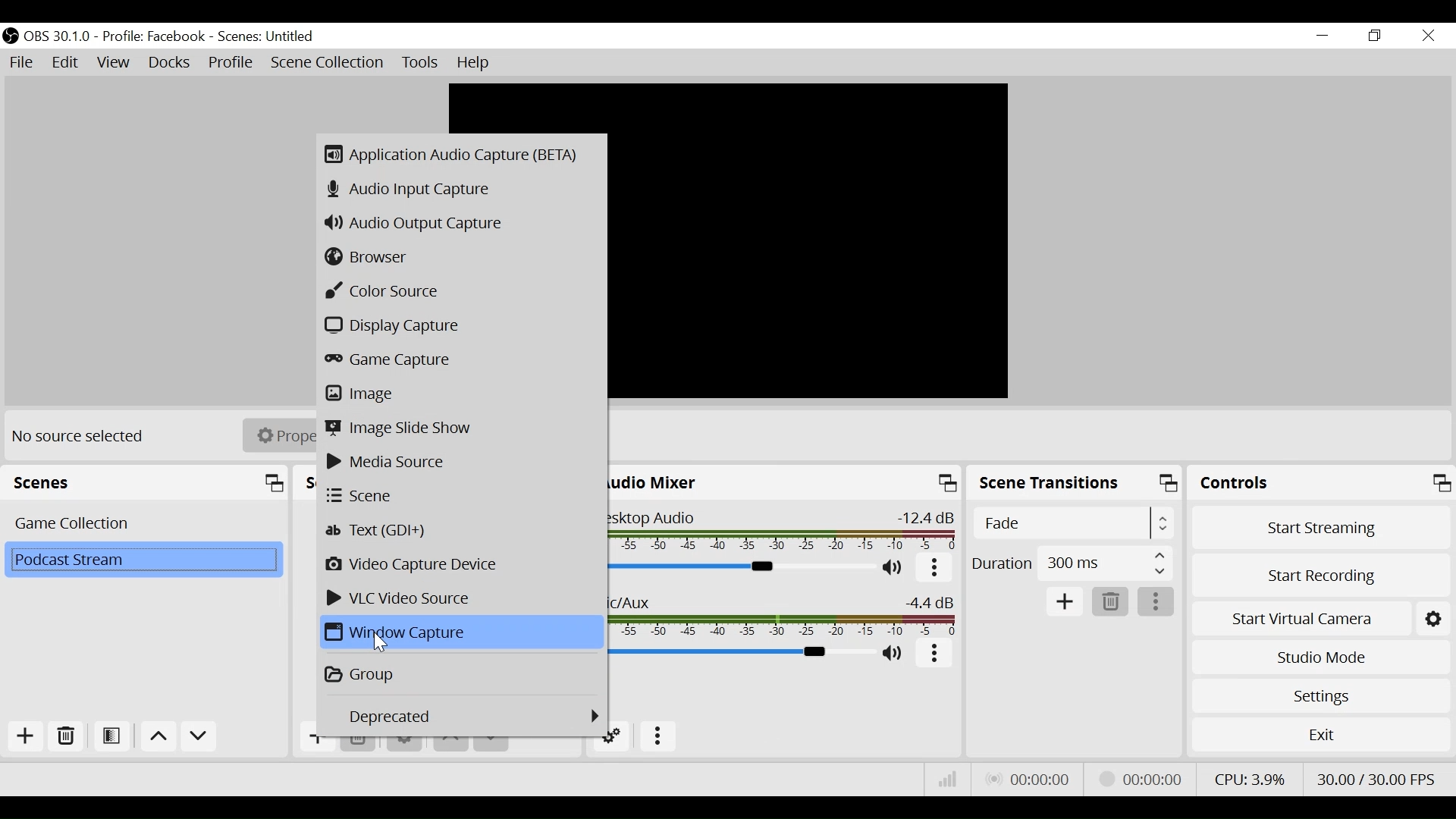  What do you see at coordinates (812, 241) in the screenshot?
I see `Preview` at bounding box center [812, 241].